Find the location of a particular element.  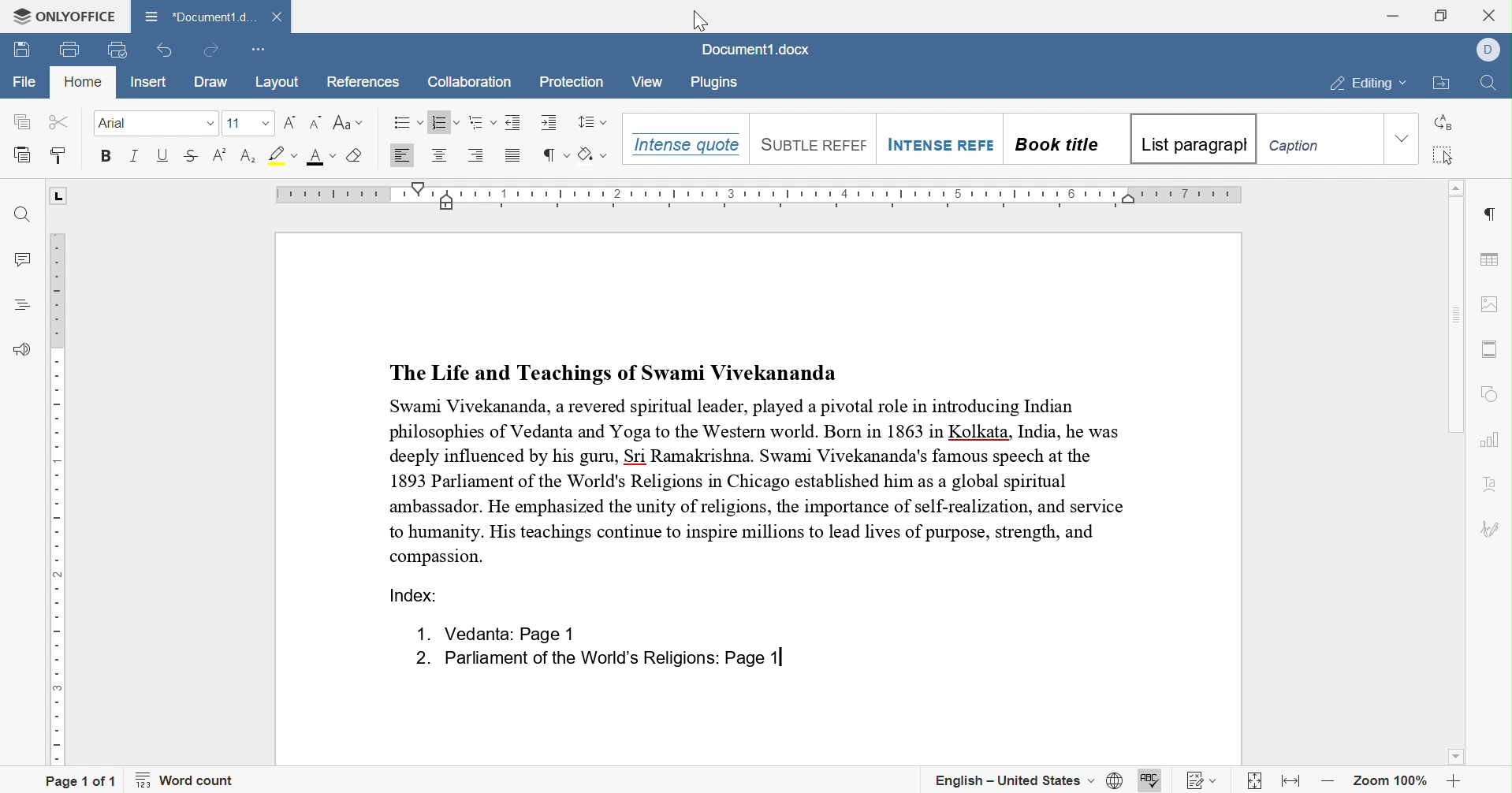

open file location is located at coordinates (1443, 84).